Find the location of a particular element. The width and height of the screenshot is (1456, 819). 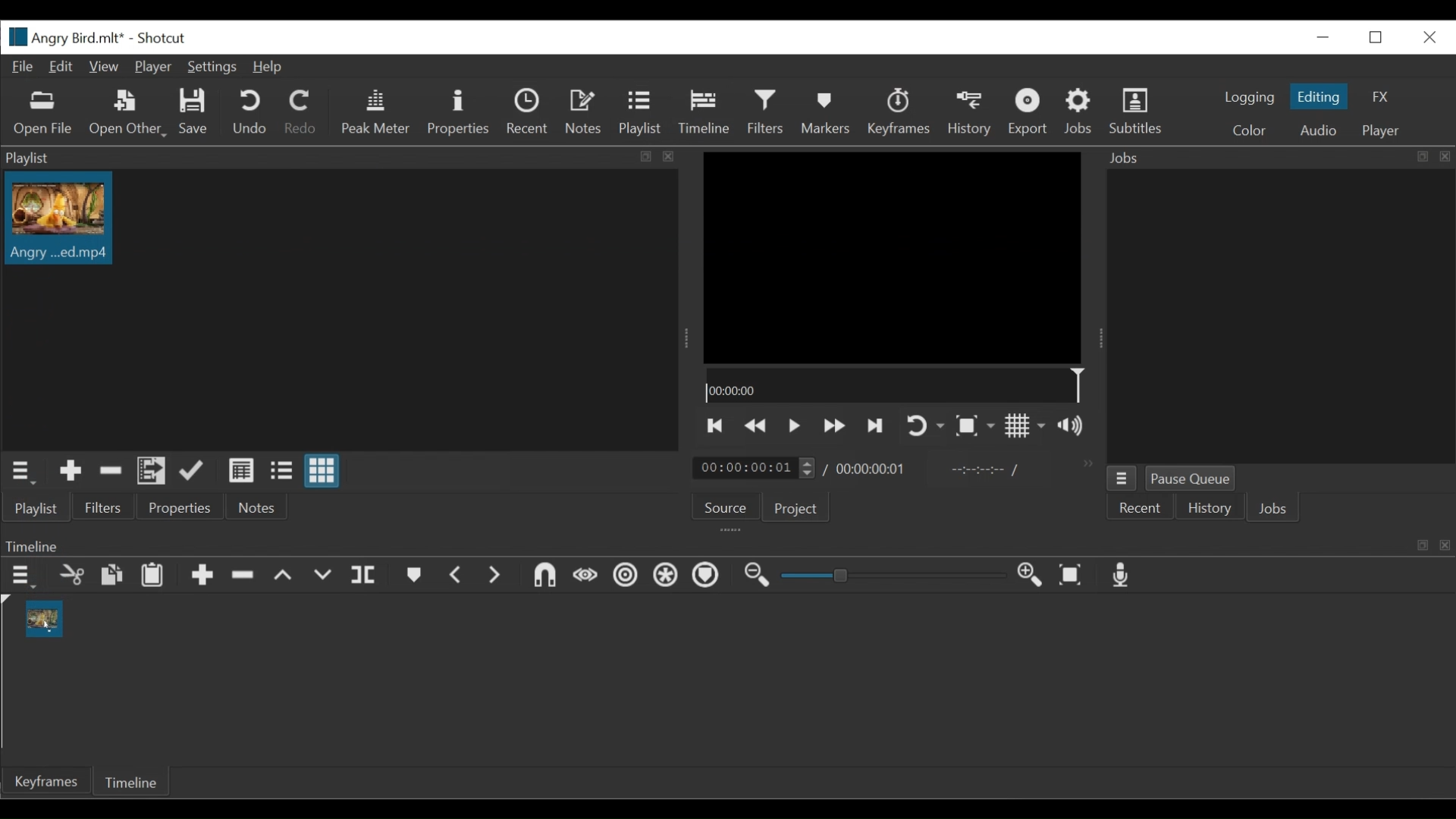

Jobs is located at coordinates (1081, 111).